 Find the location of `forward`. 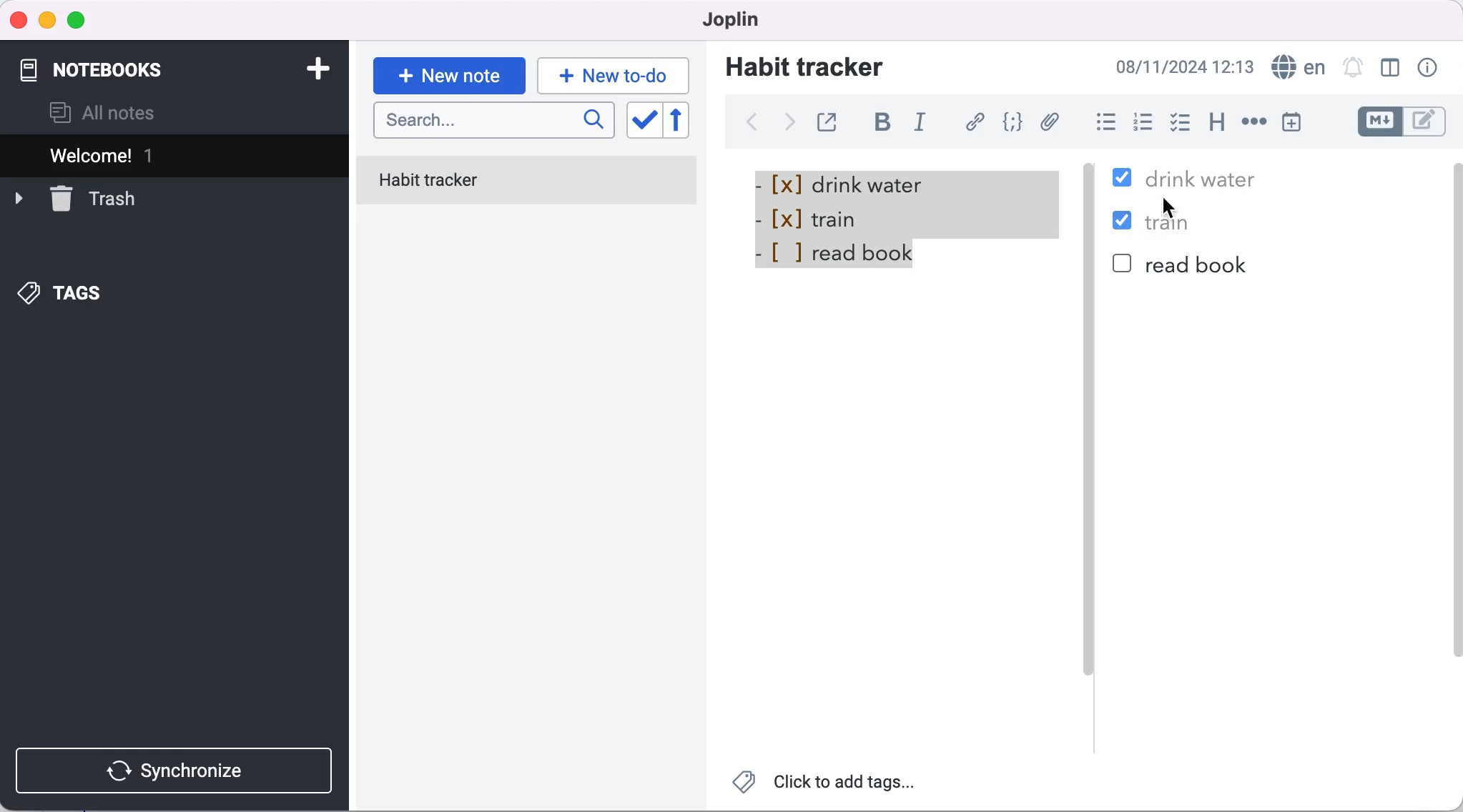

forward is located at coordinates (787, 127).